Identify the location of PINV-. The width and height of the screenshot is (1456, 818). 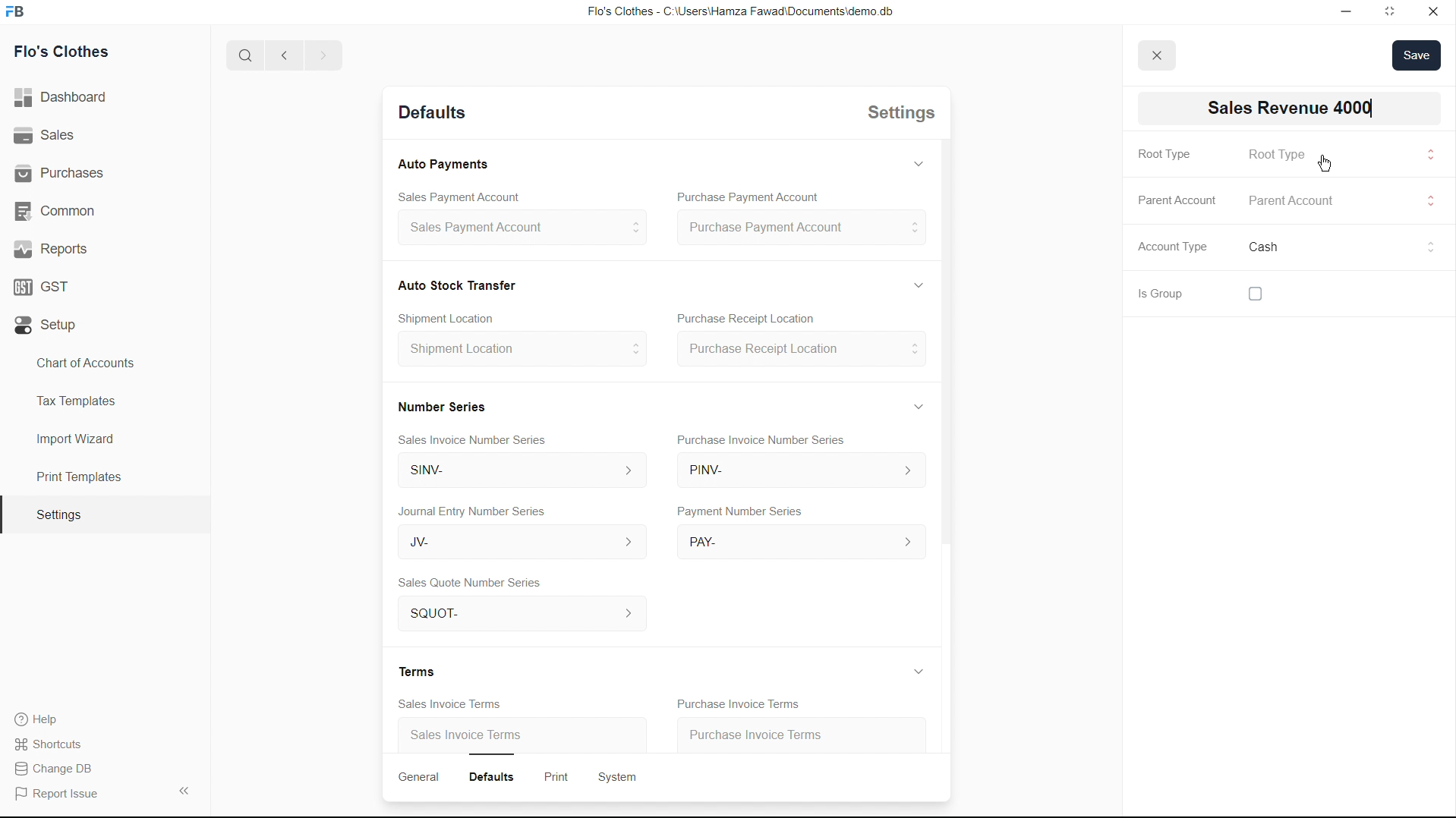
(799, 473).